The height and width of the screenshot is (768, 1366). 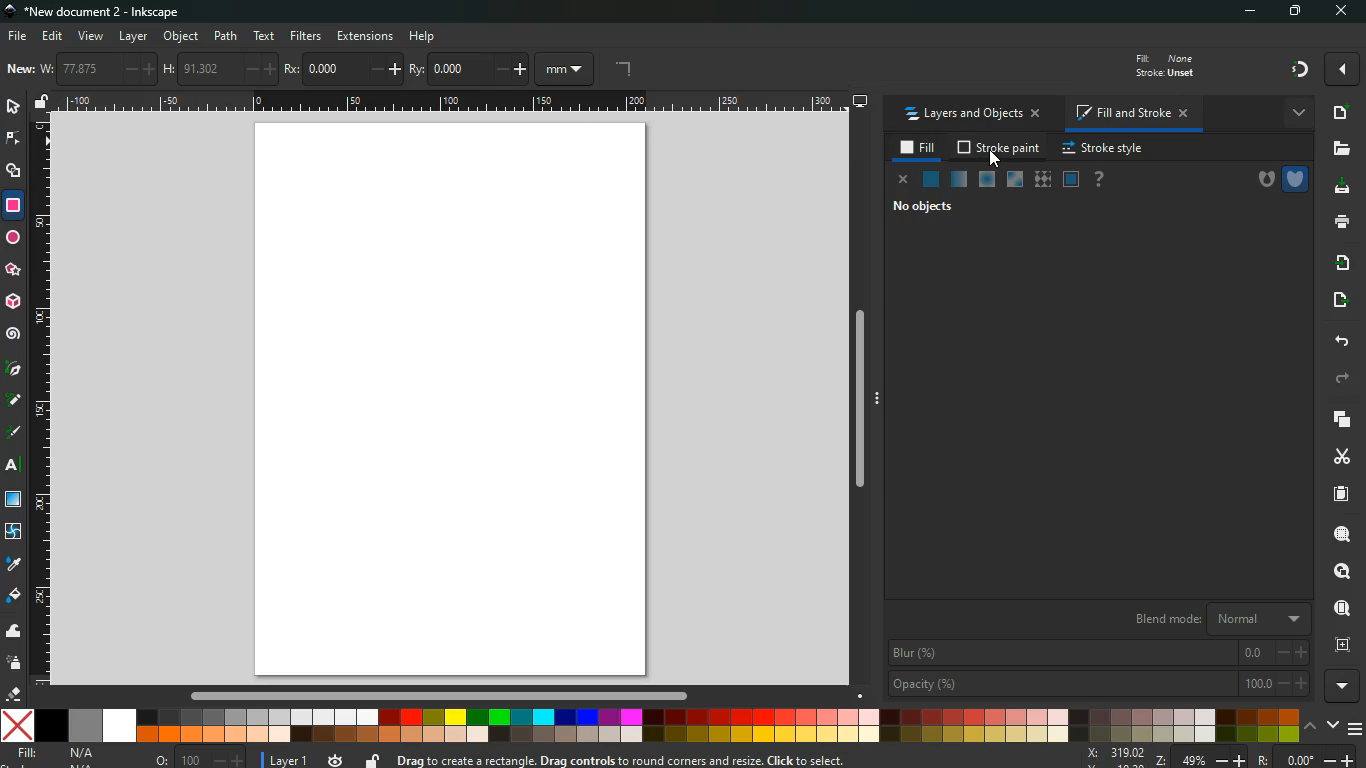 What do you see at coordinates (111, 11) in the screenshot?
I see `inkscape` at bounding box center [111, 11].